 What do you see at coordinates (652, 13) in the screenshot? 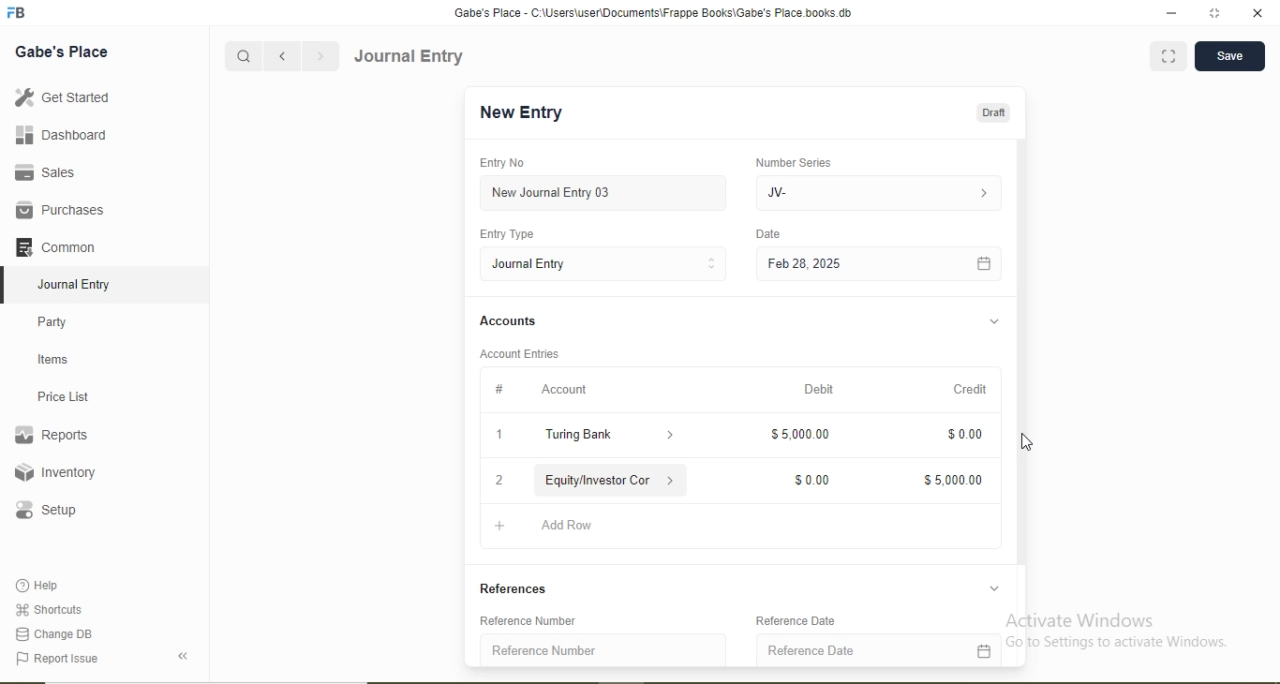
I see `‘Gabe's Place - C:\Users\useriDocuments\Frappe Books\Gabe's Place books db` at bounding box center [652, 13].